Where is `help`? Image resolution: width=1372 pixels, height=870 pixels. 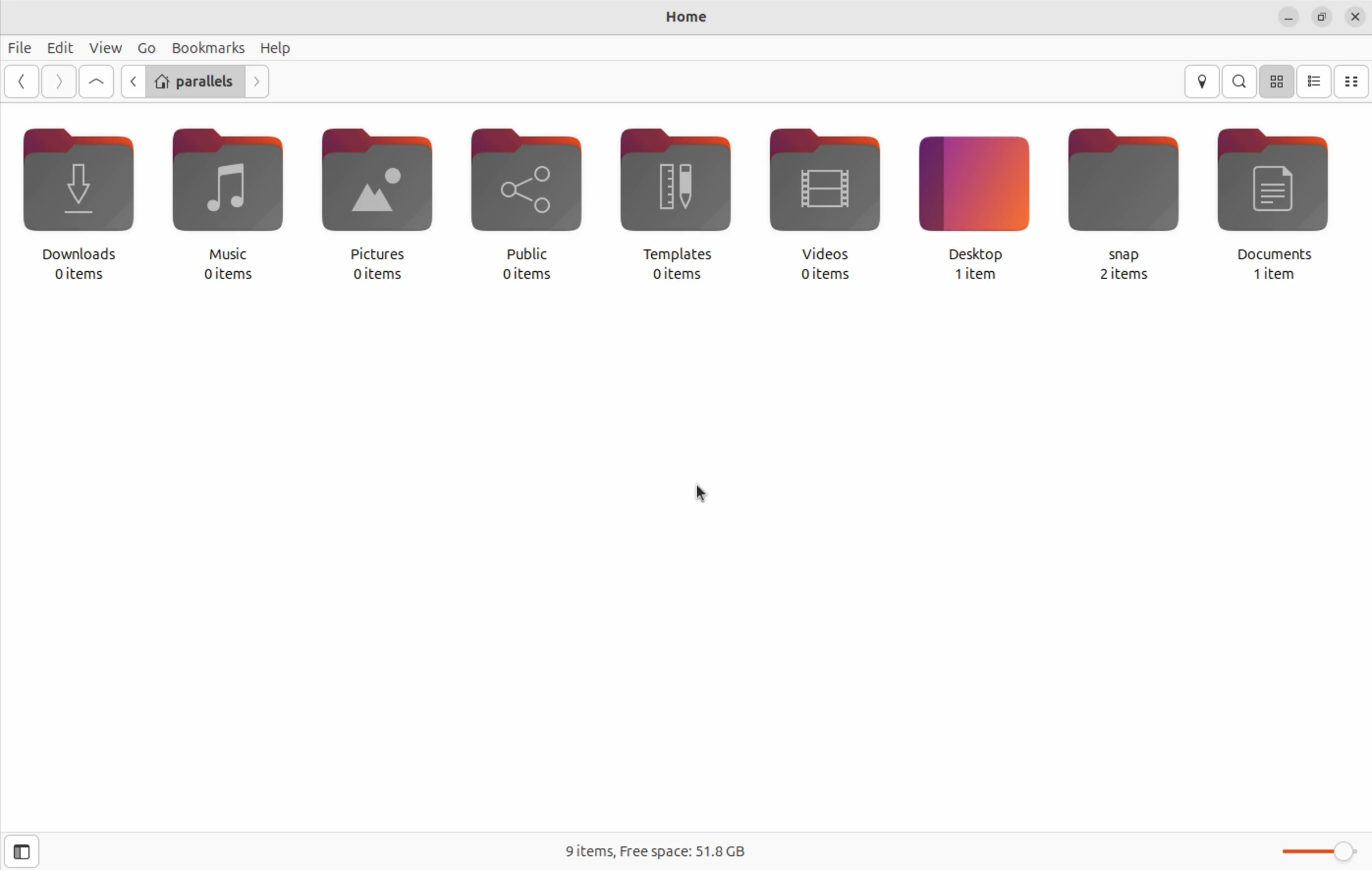
help is located at coordinates (277, 50).